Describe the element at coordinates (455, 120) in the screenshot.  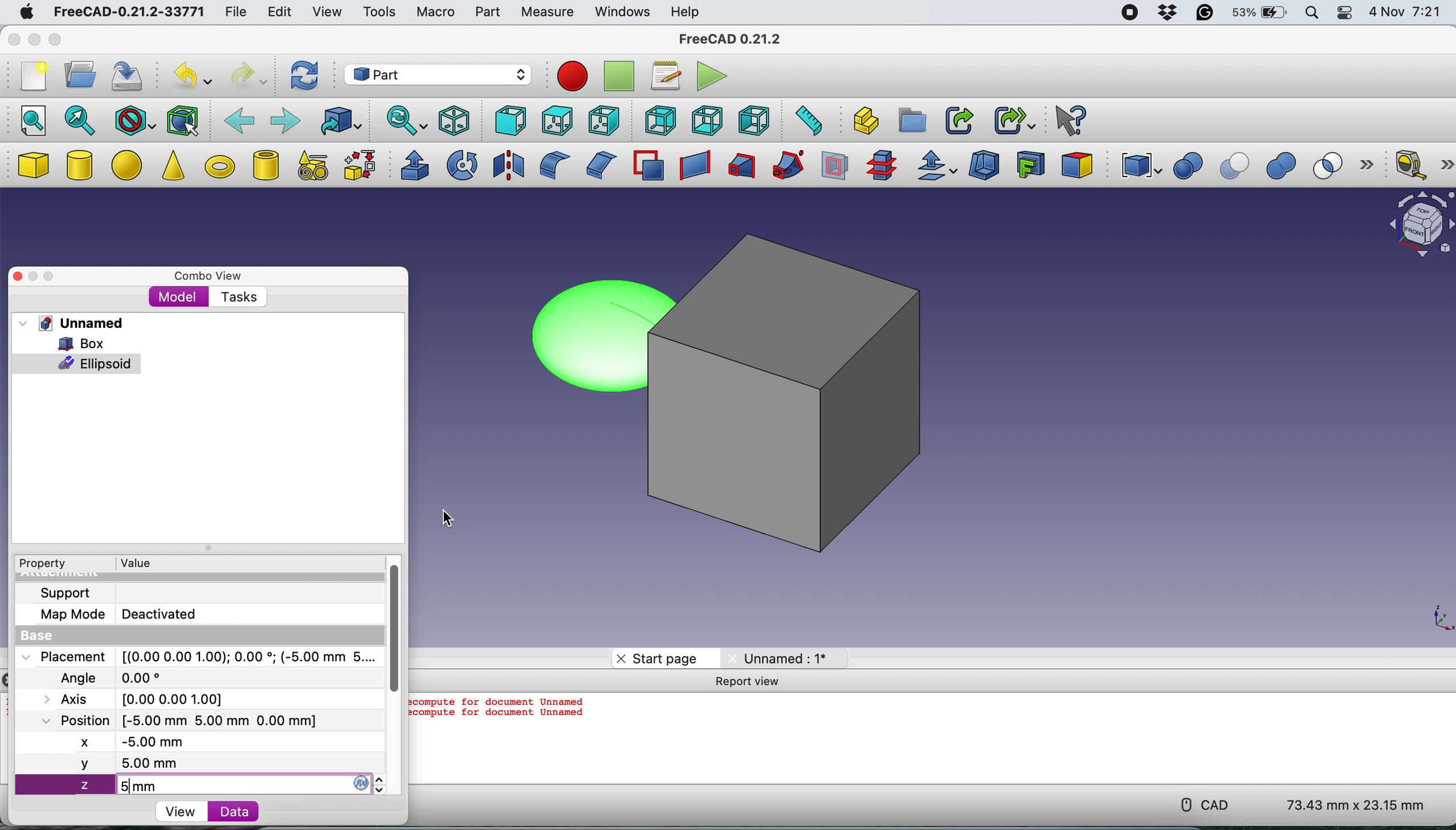
I see `isometric view` at that location.